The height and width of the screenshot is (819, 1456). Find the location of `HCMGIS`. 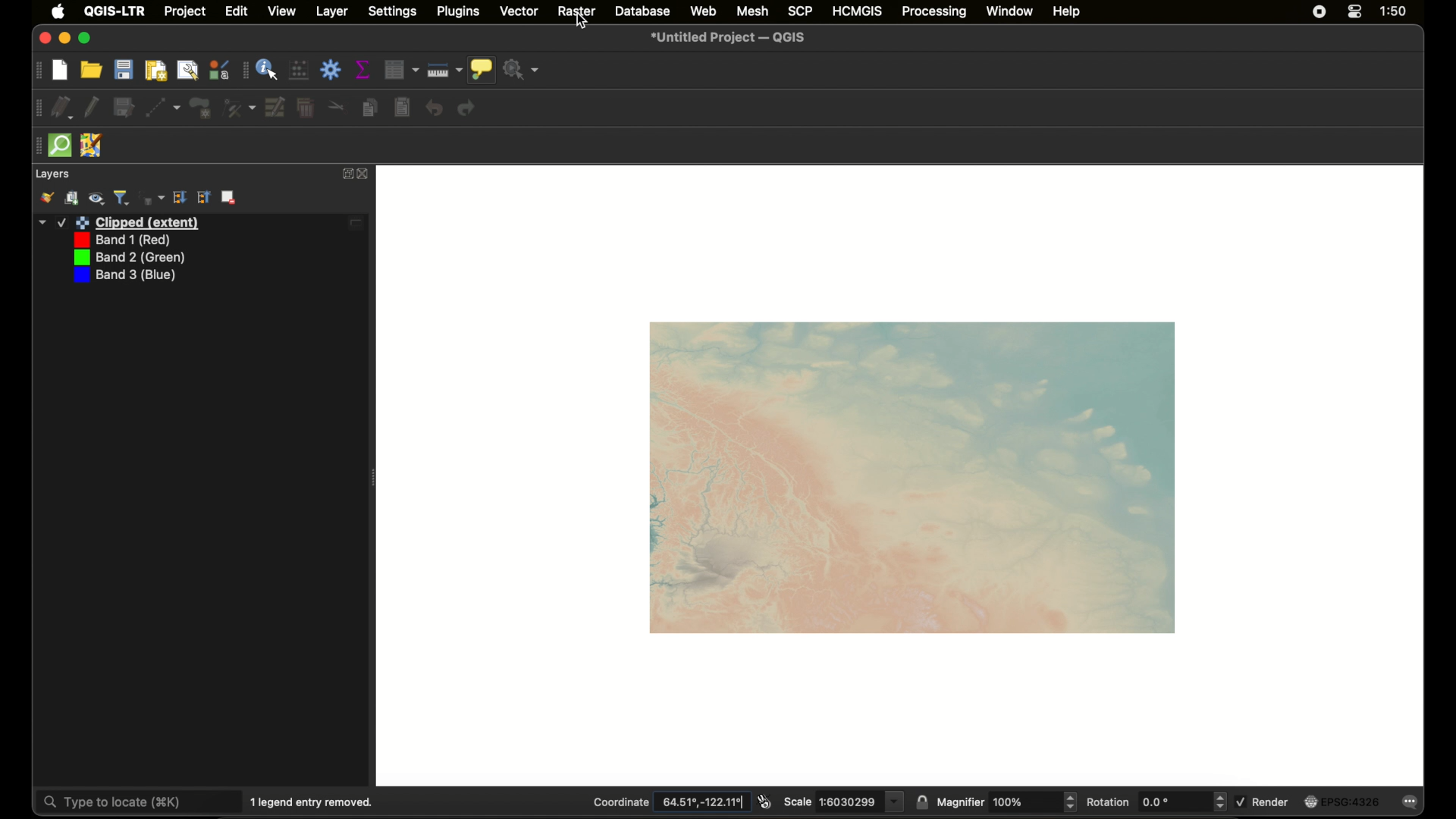

HCMGIS is located at coordinates (857, 11).